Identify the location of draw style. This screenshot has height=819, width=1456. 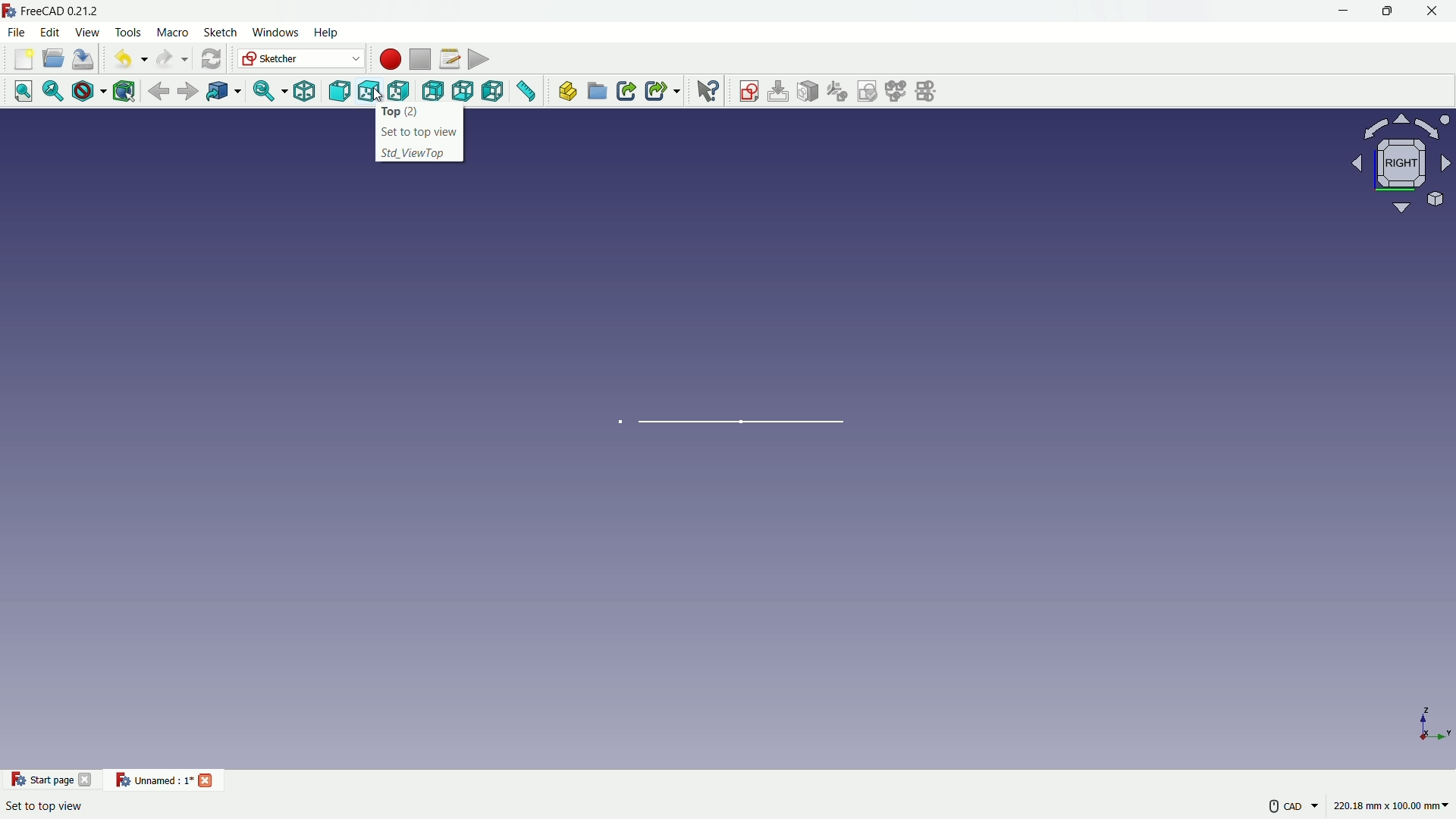
(89, 92).